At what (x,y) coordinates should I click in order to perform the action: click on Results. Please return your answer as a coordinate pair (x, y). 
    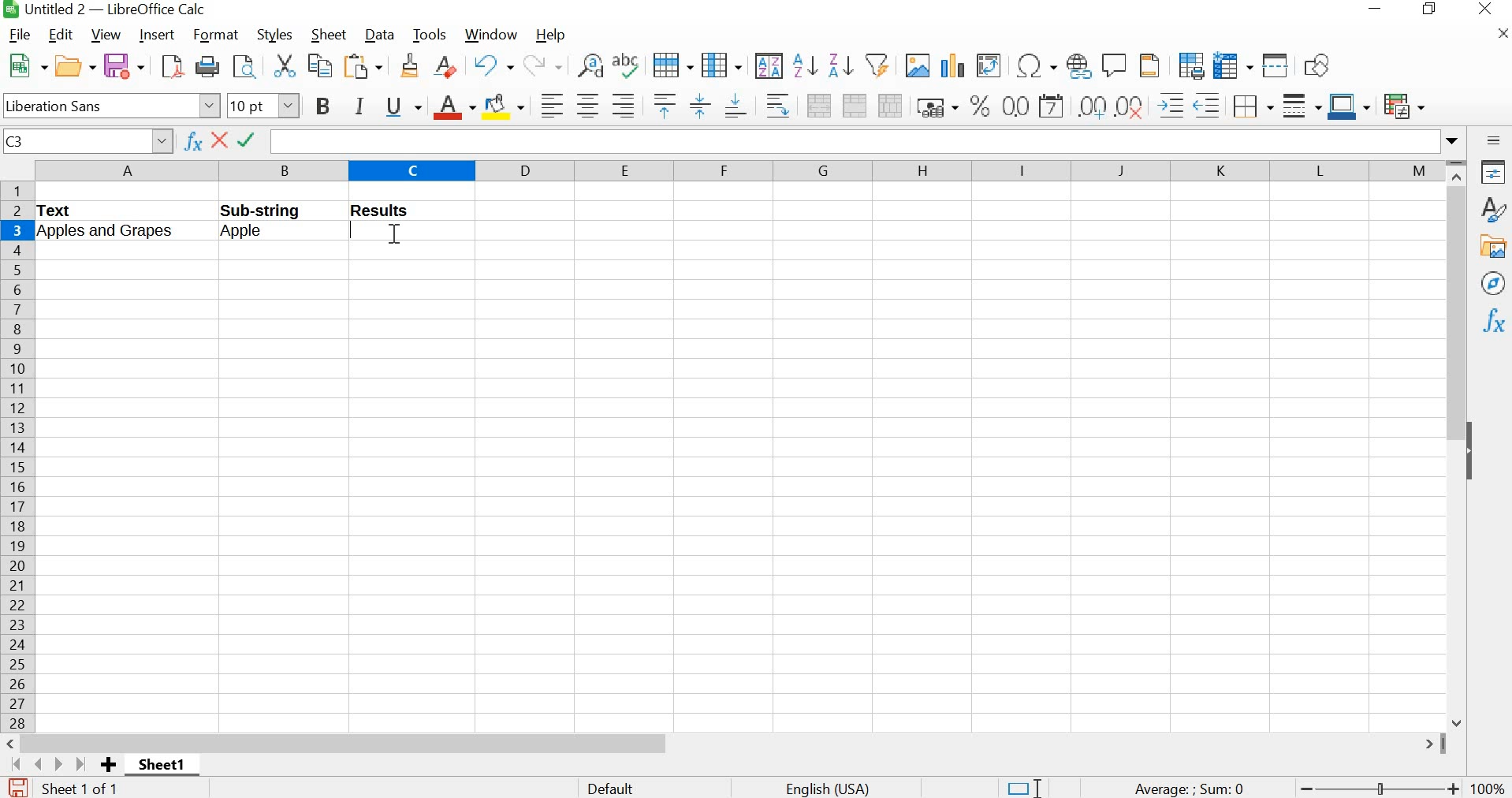
    Looking at the image, I should click on (393, 211).